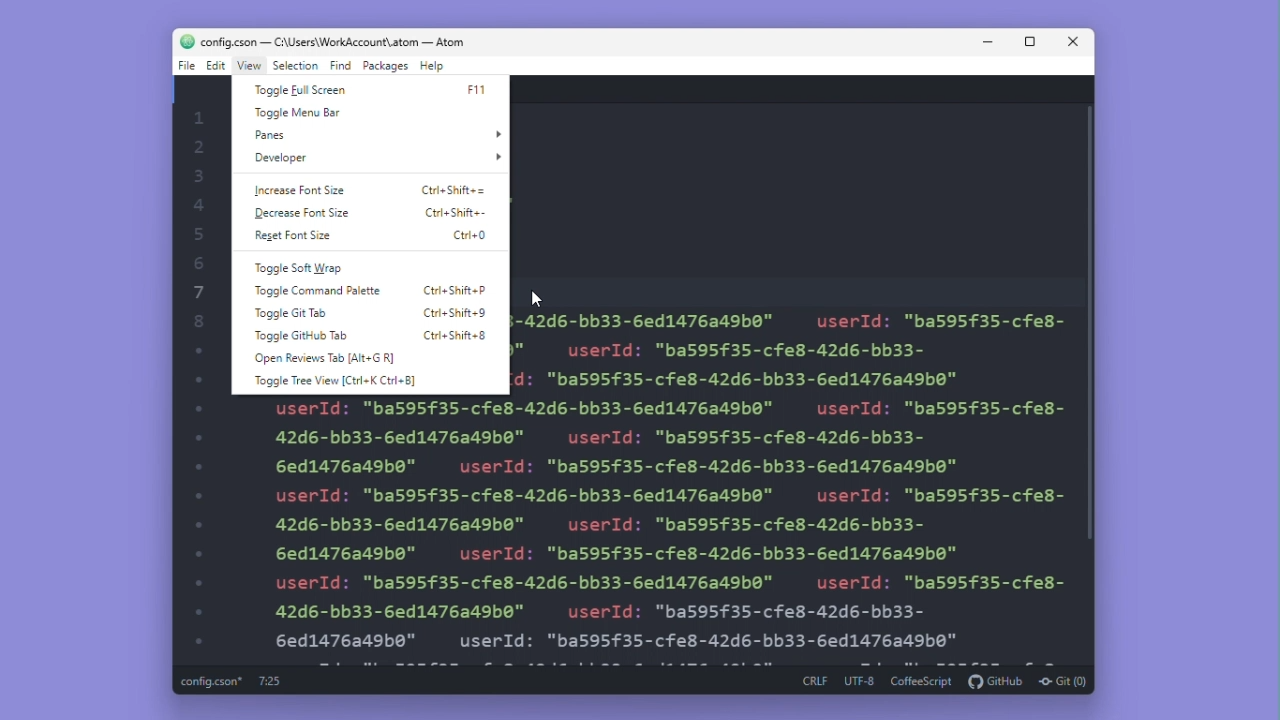 The height and width of the screenshot is (720, 1280). Describe the element at coordinates (452, 191) in the screenshot. I see `ctrl+shift+=` at that location.